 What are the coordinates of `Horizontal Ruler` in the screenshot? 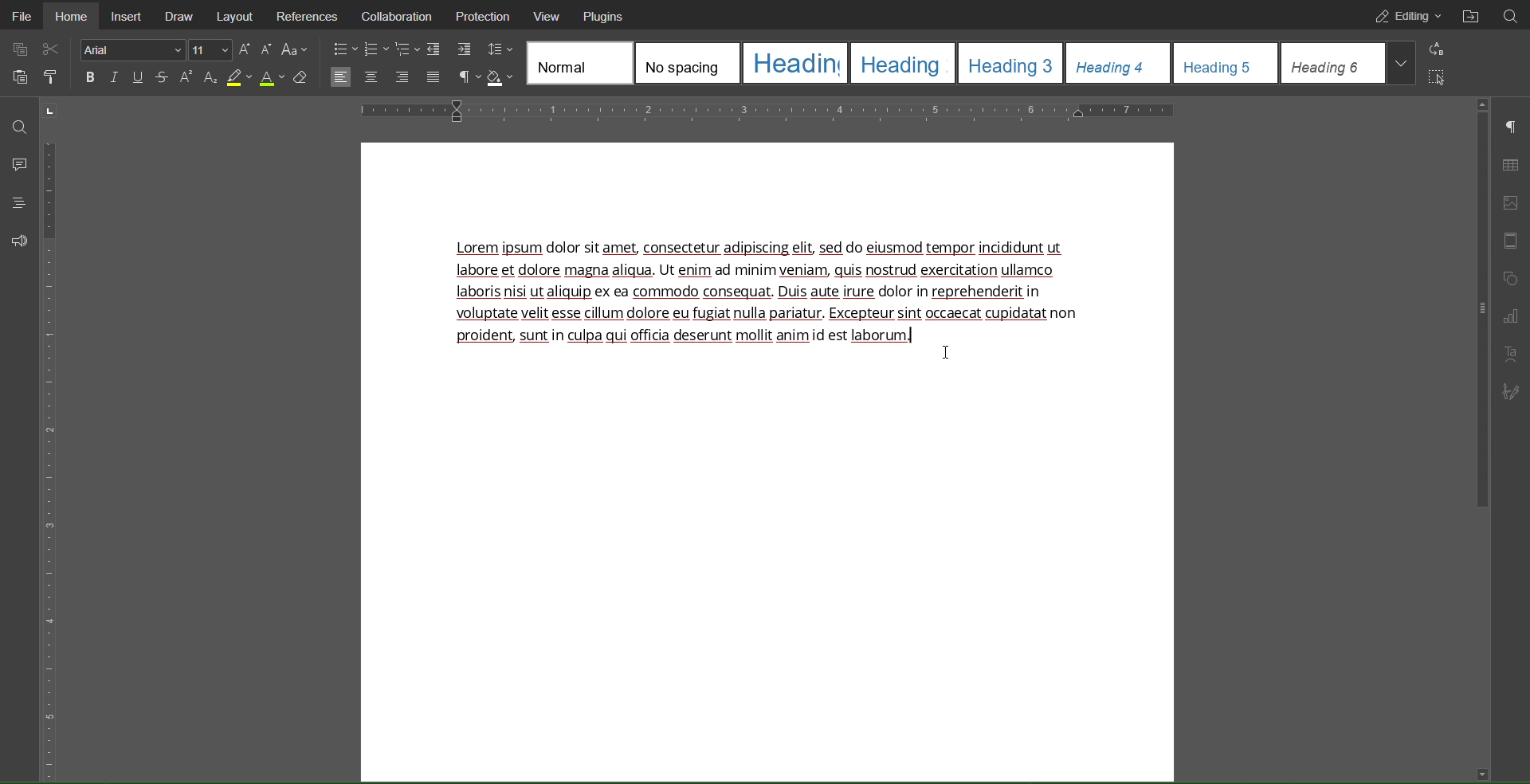 It's located at (772, 110).